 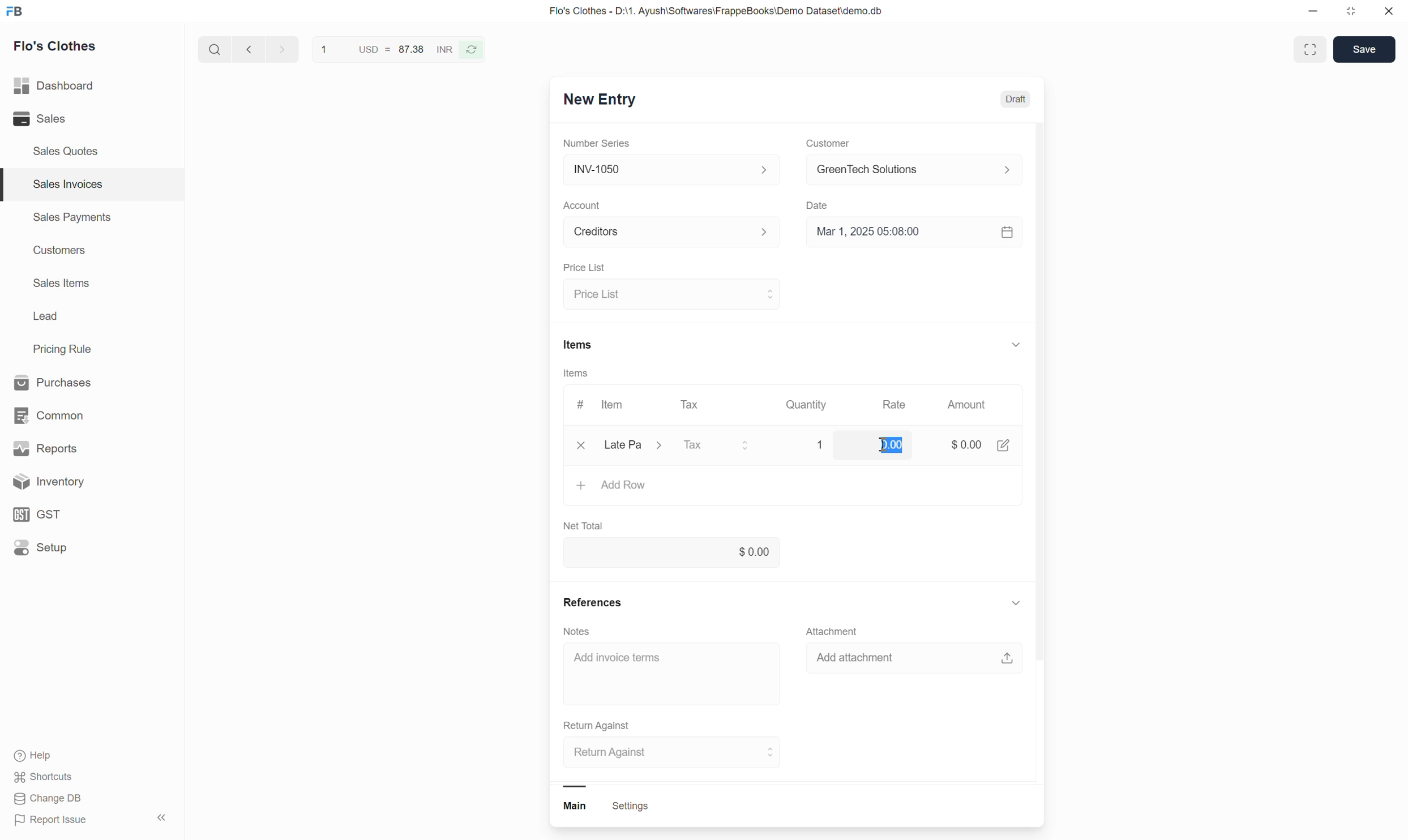 I want to click on show or hide references , so click(x=1017, y=606).